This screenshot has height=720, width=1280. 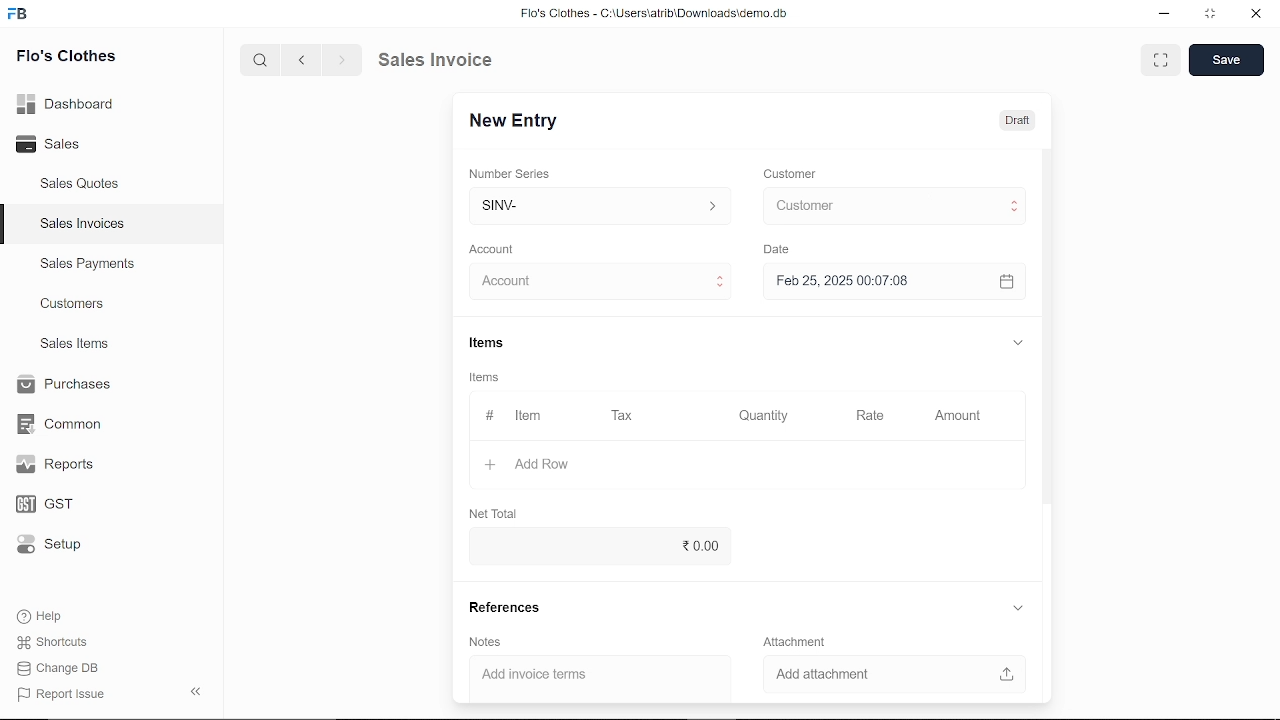 What do you see at coordinates (623, 417) in the screenshot?
I see `Tax` at bounding box center [623, 417].